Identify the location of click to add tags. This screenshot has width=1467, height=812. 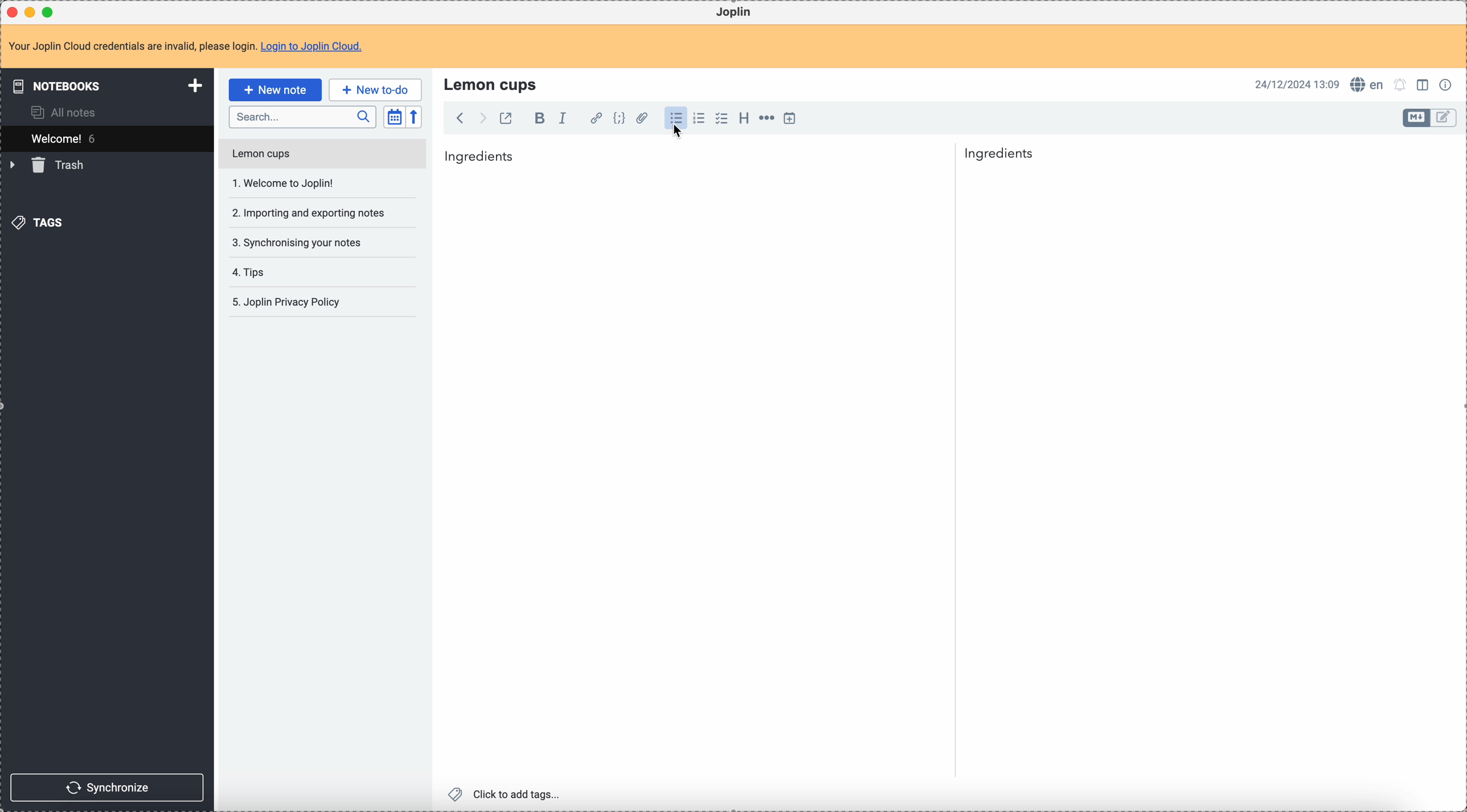
(507, 793).